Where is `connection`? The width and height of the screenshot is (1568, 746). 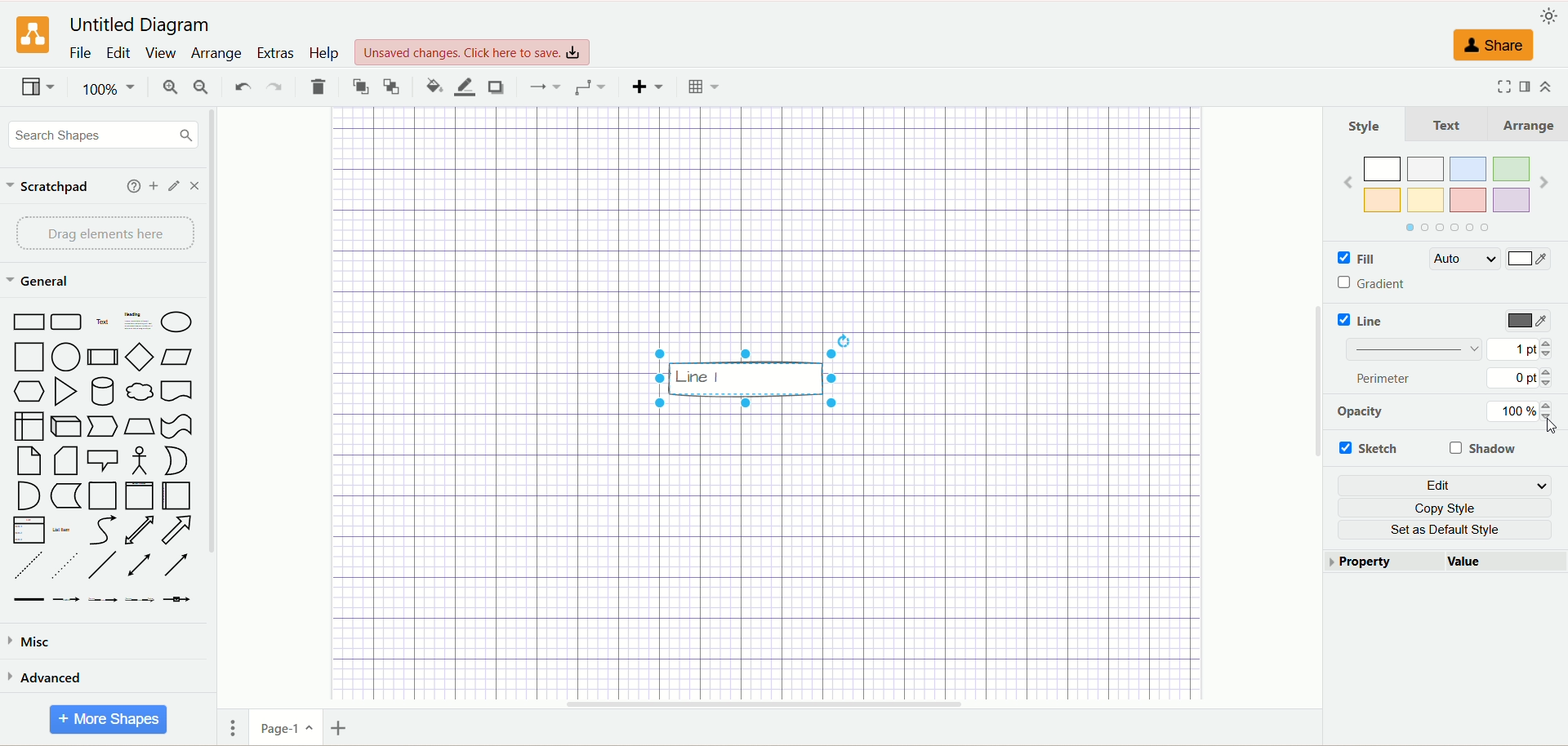 connection is located at coordinates (542, 85).